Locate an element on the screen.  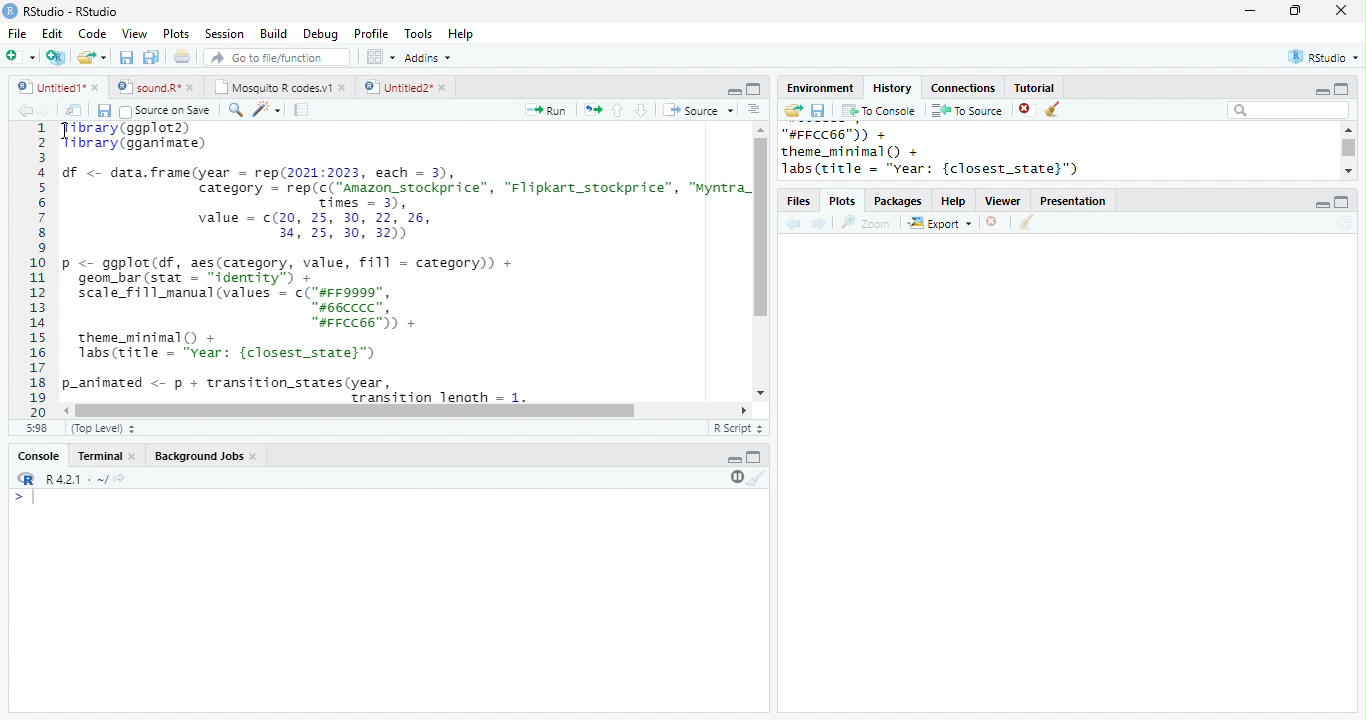
forward is located at coordinates (42, 110).